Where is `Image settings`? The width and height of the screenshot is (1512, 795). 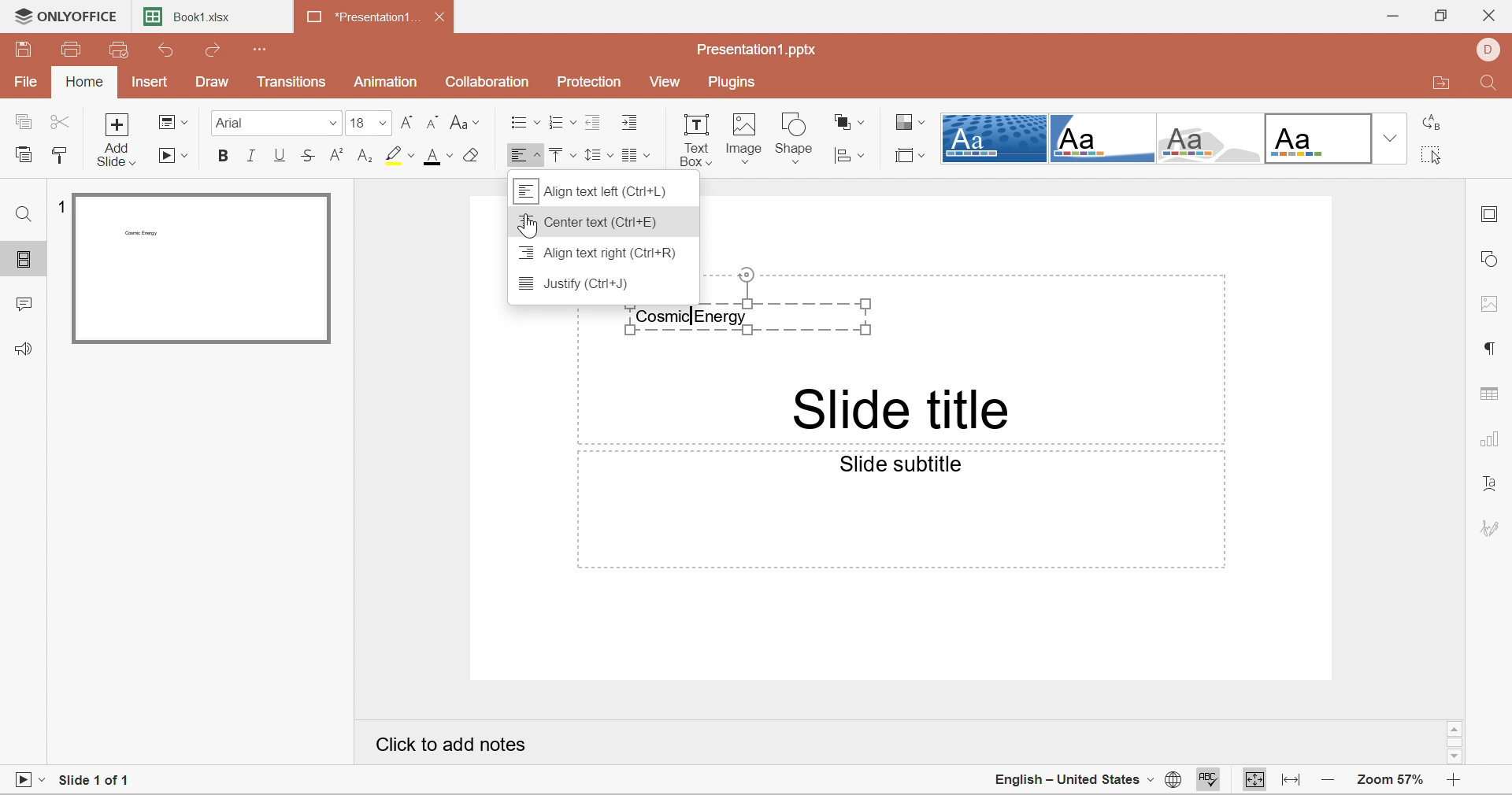 Image settings is located at coordinates (1492, 305).